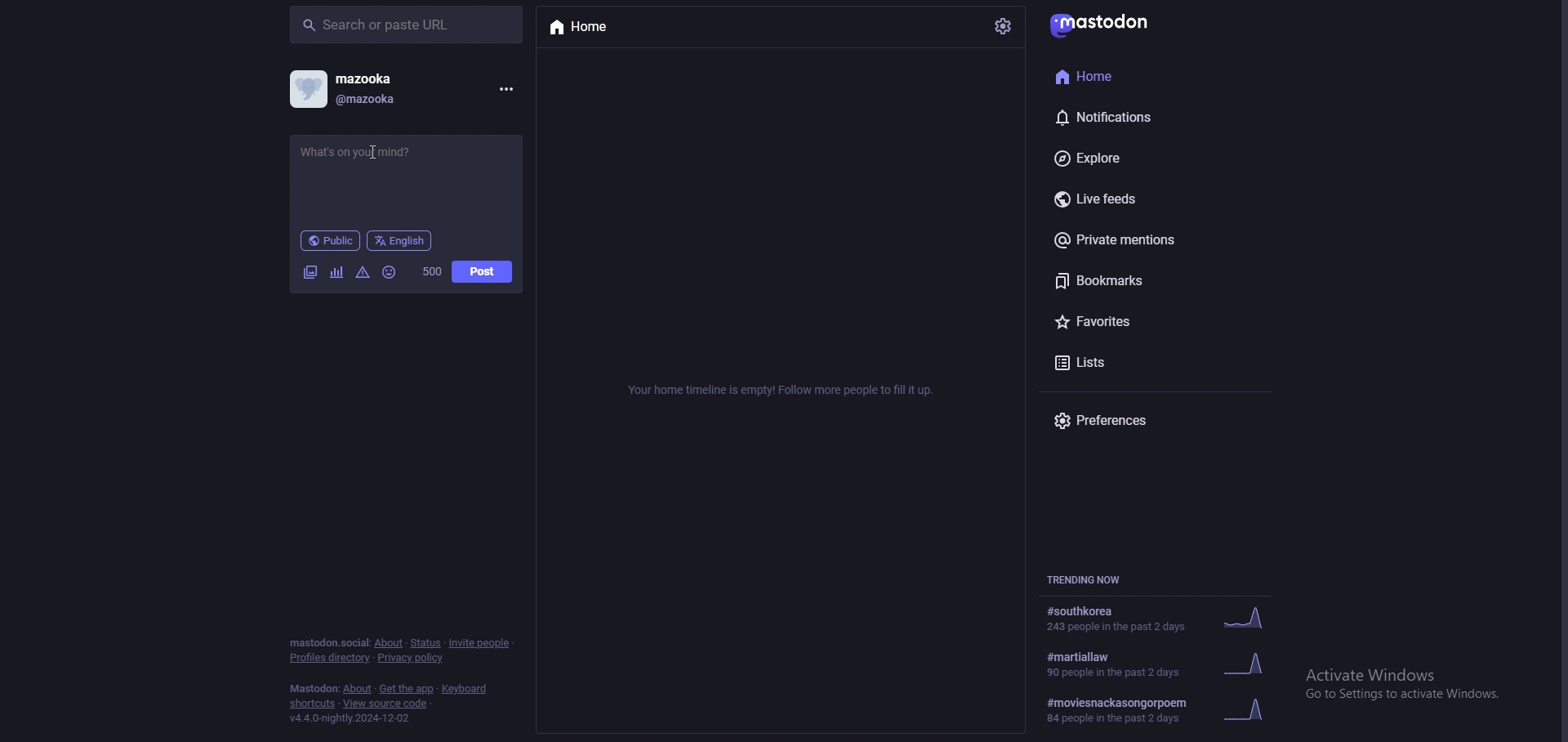 Image resolution: width=1568 pixels, height=742 pixels. I want to click on about, so click(390, 642).